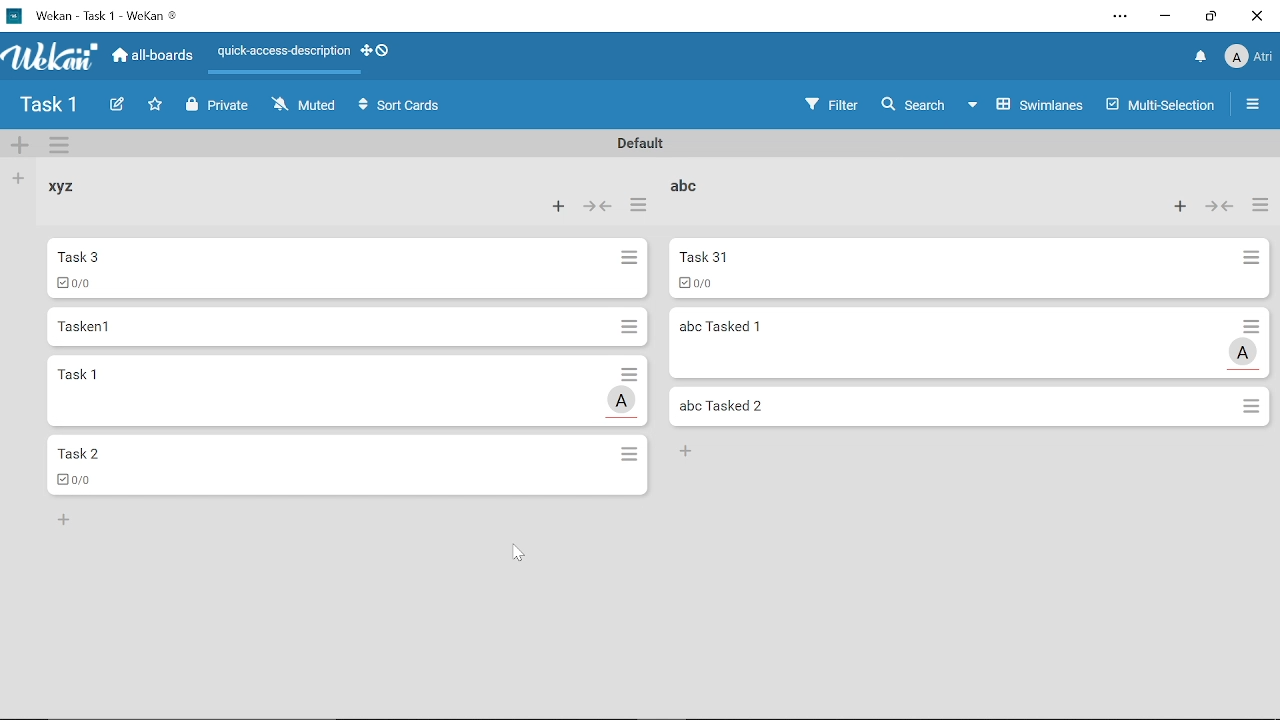 The image size is (1280, 720). I want to click on App logo, so click(51, 56).